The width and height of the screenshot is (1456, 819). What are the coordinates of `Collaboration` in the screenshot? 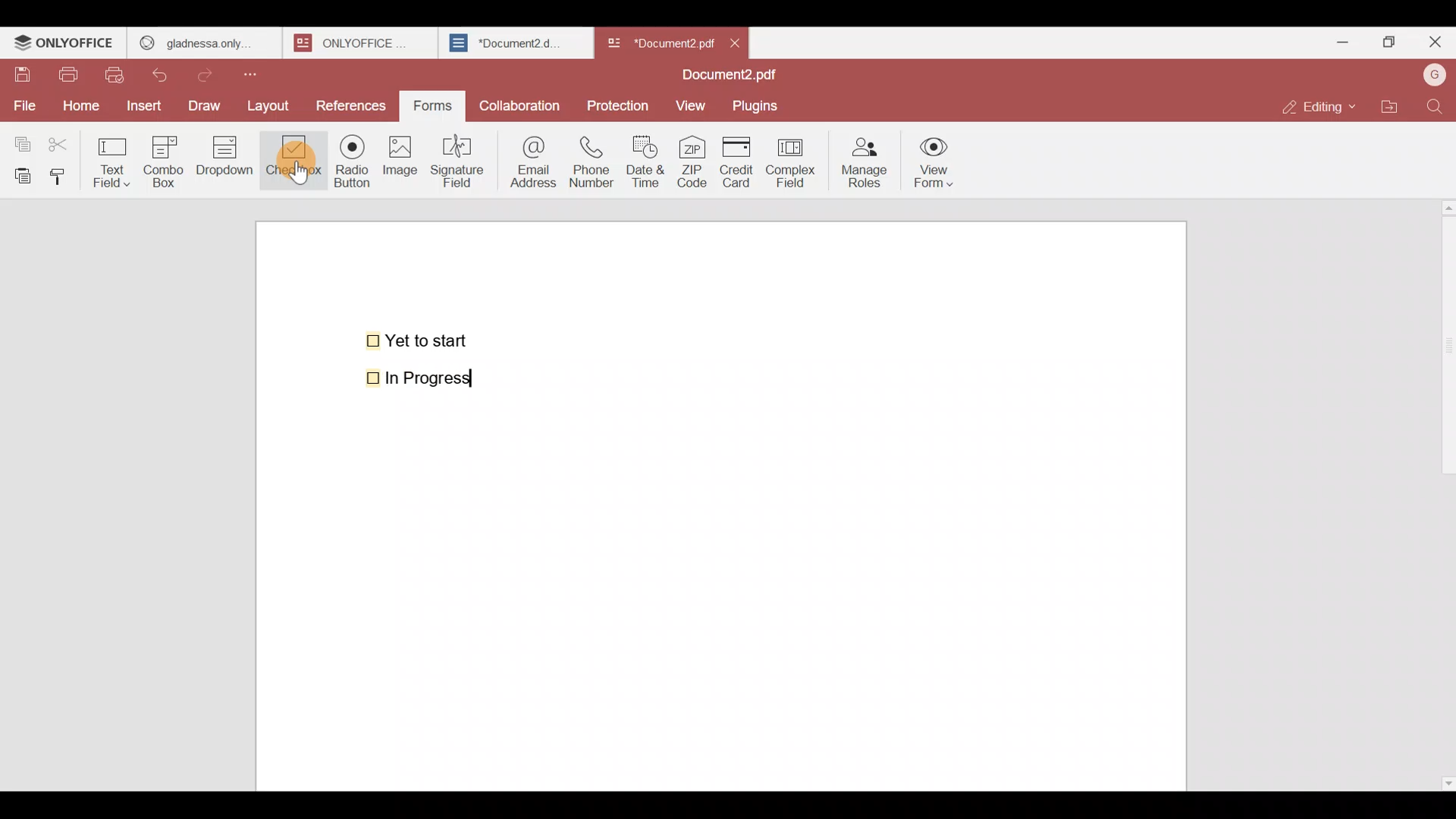 It's located at (521, 102).